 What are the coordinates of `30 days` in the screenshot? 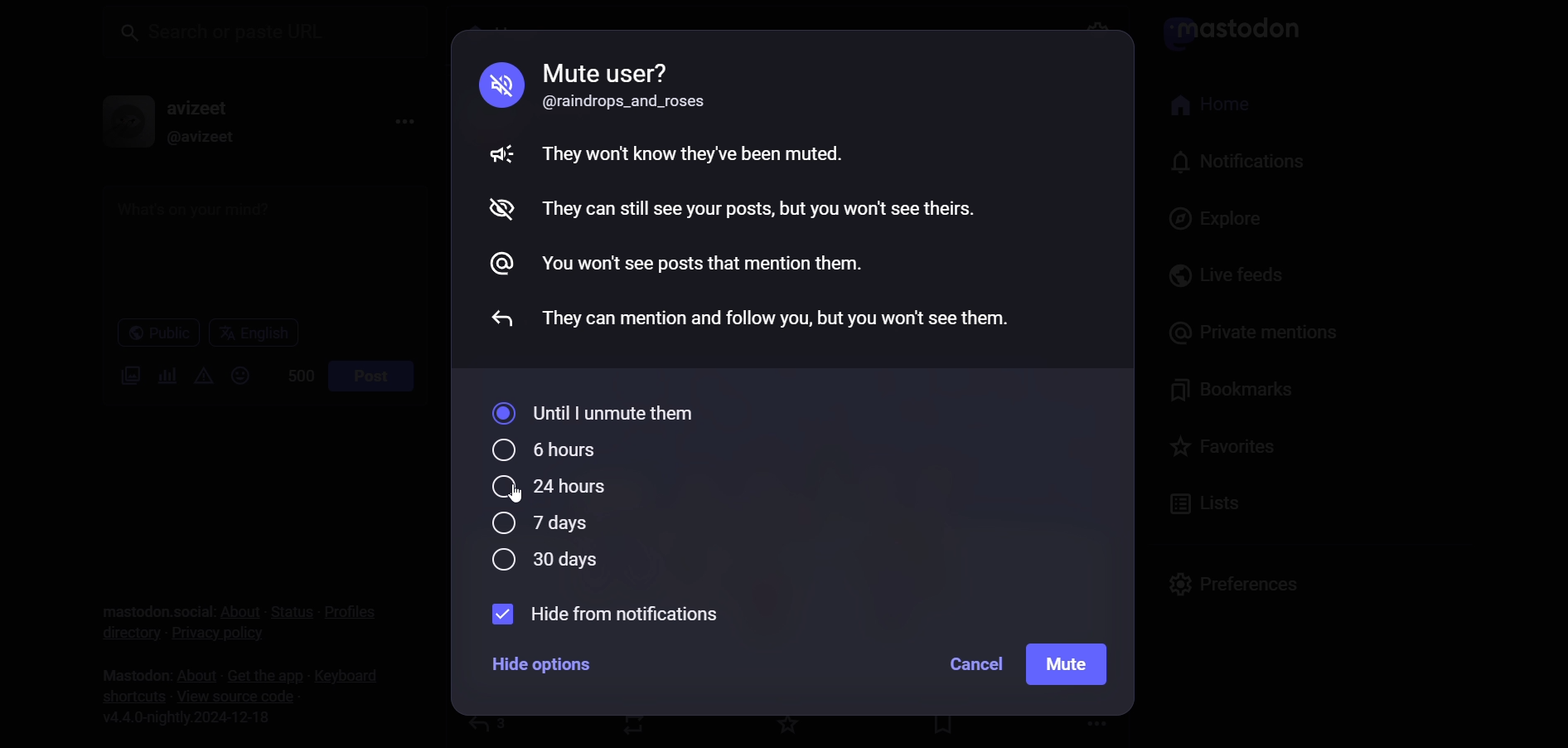 It's located at (542, 563).